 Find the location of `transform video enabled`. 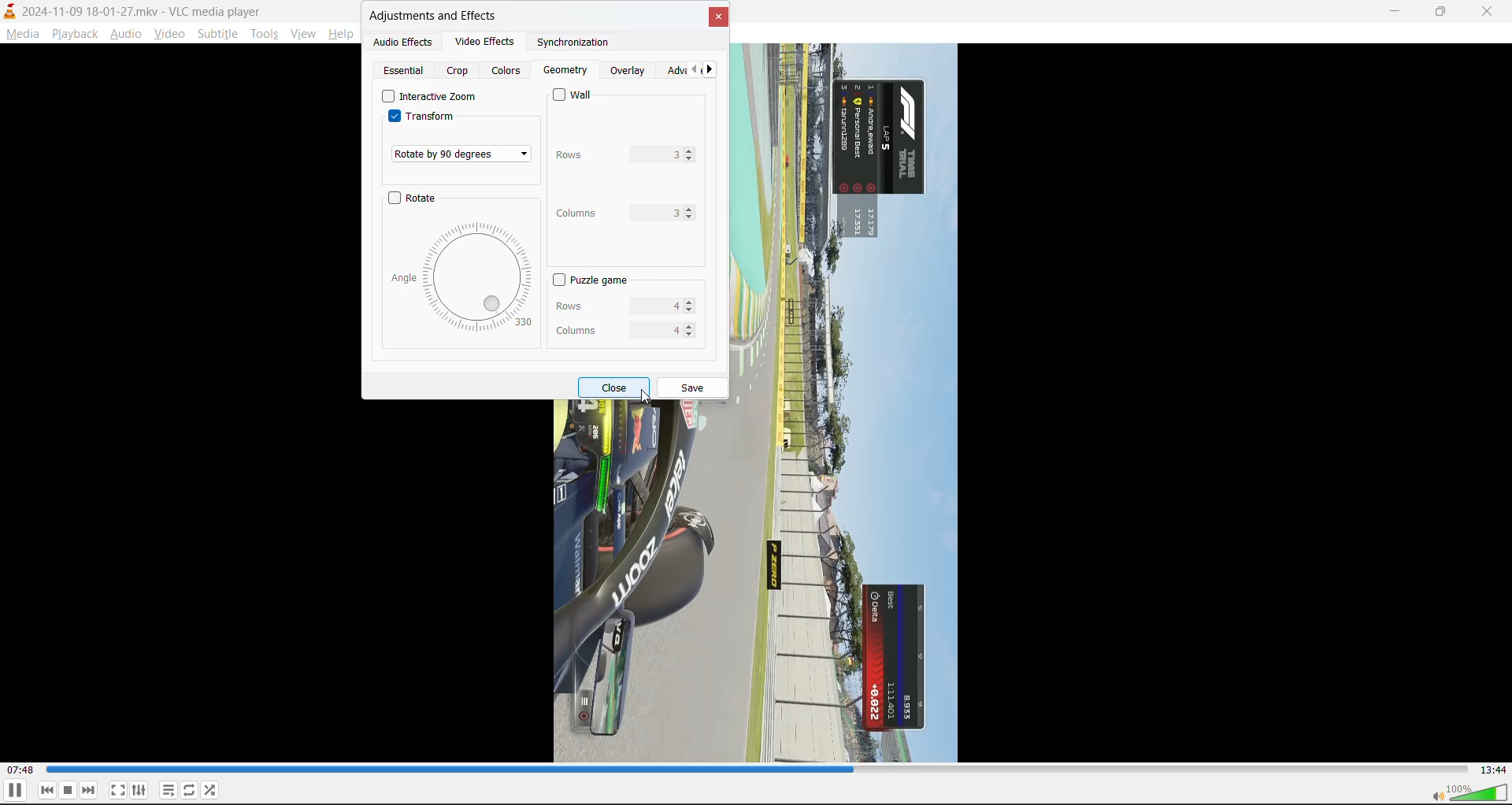

transform video enabled is located at coordinates (434, 117).